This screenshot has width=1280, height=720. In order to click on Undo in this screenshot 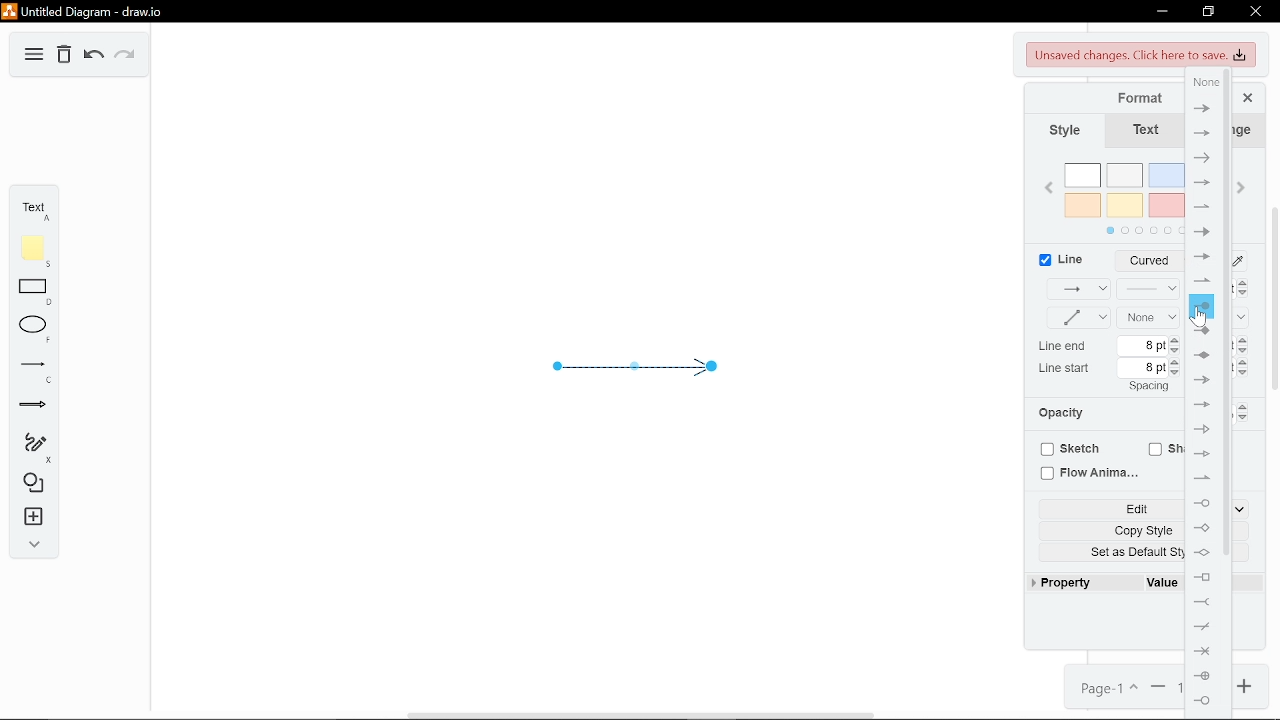, I will do `click(93, 55)`.